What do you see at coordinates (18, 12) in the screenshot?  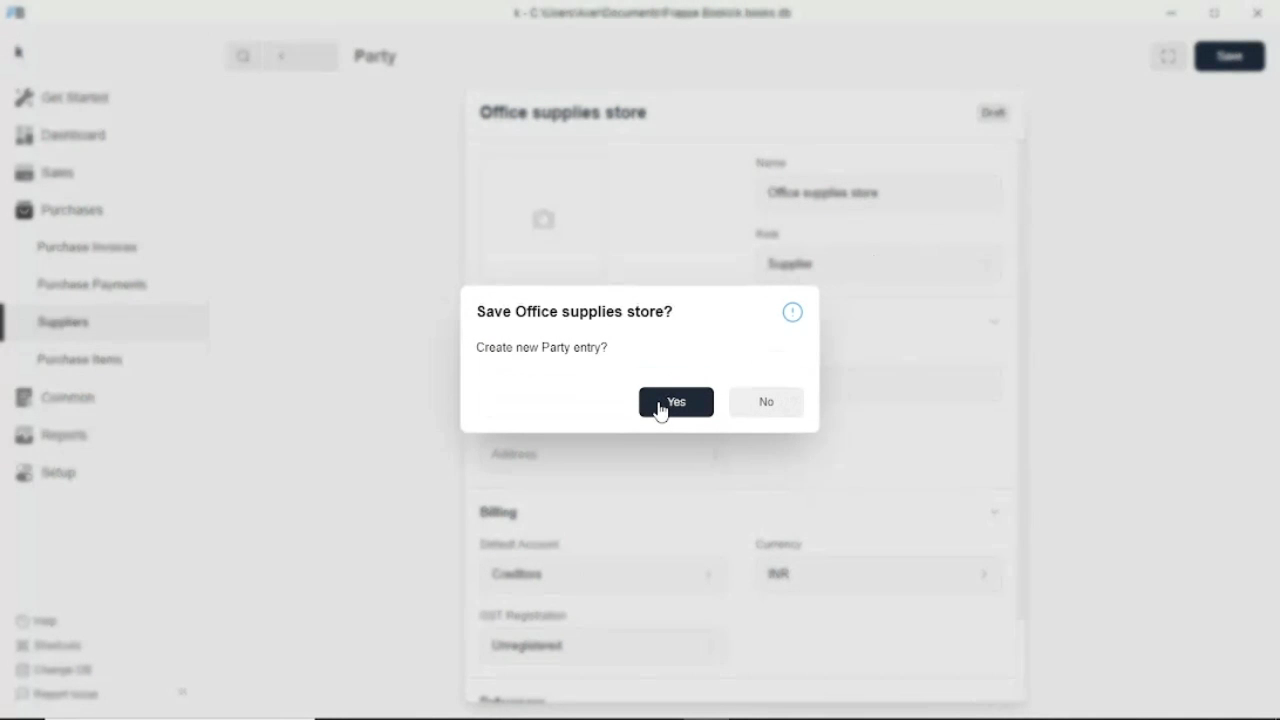 I see `FB` at bounding box center [18, 12].